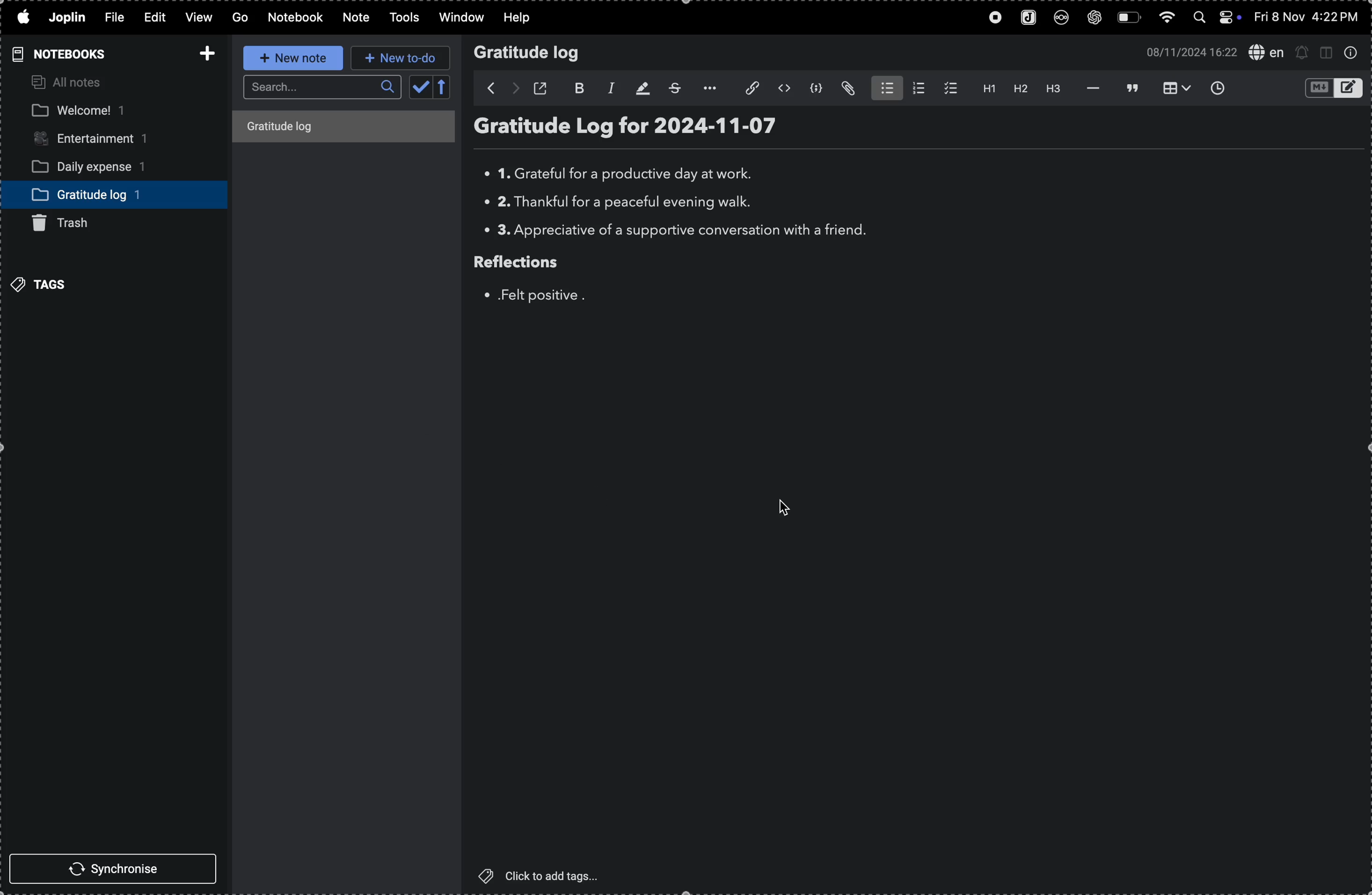  Describe the element at coordinates (542, 88) in the screenshot. I see `open window` at that location.